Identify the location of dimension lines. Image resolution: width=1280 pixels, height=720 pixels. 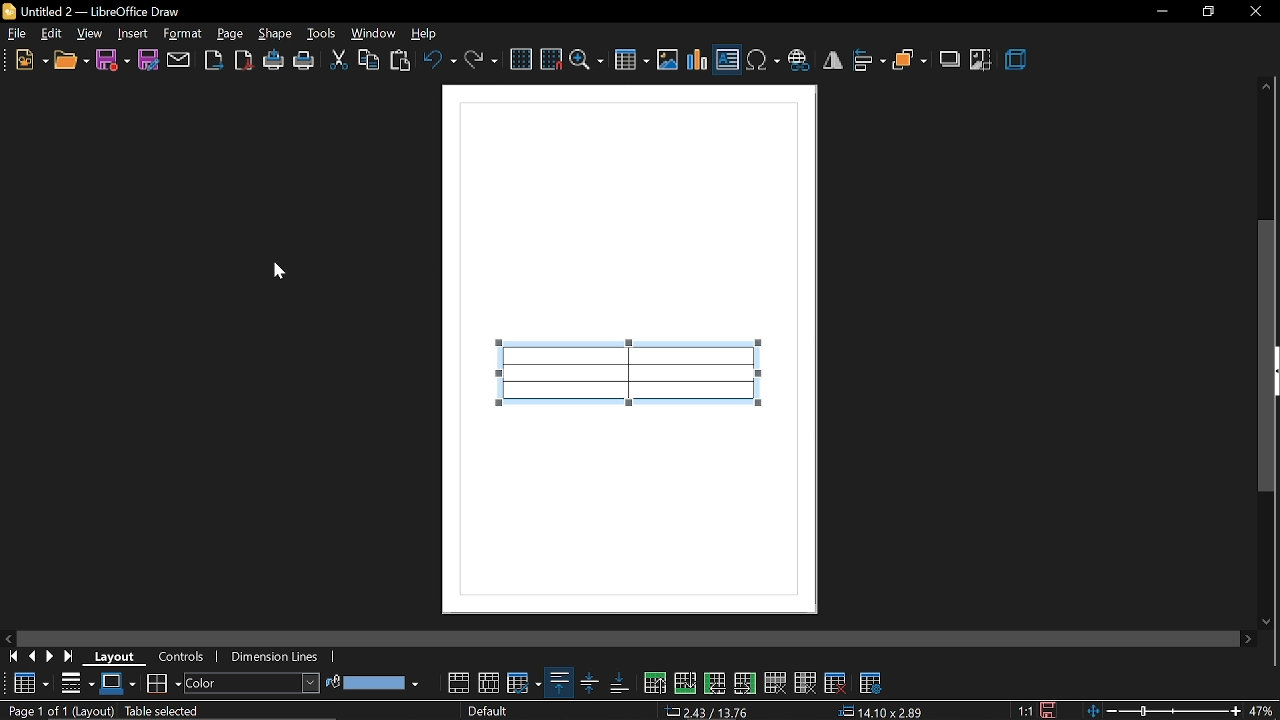
(278, 655).